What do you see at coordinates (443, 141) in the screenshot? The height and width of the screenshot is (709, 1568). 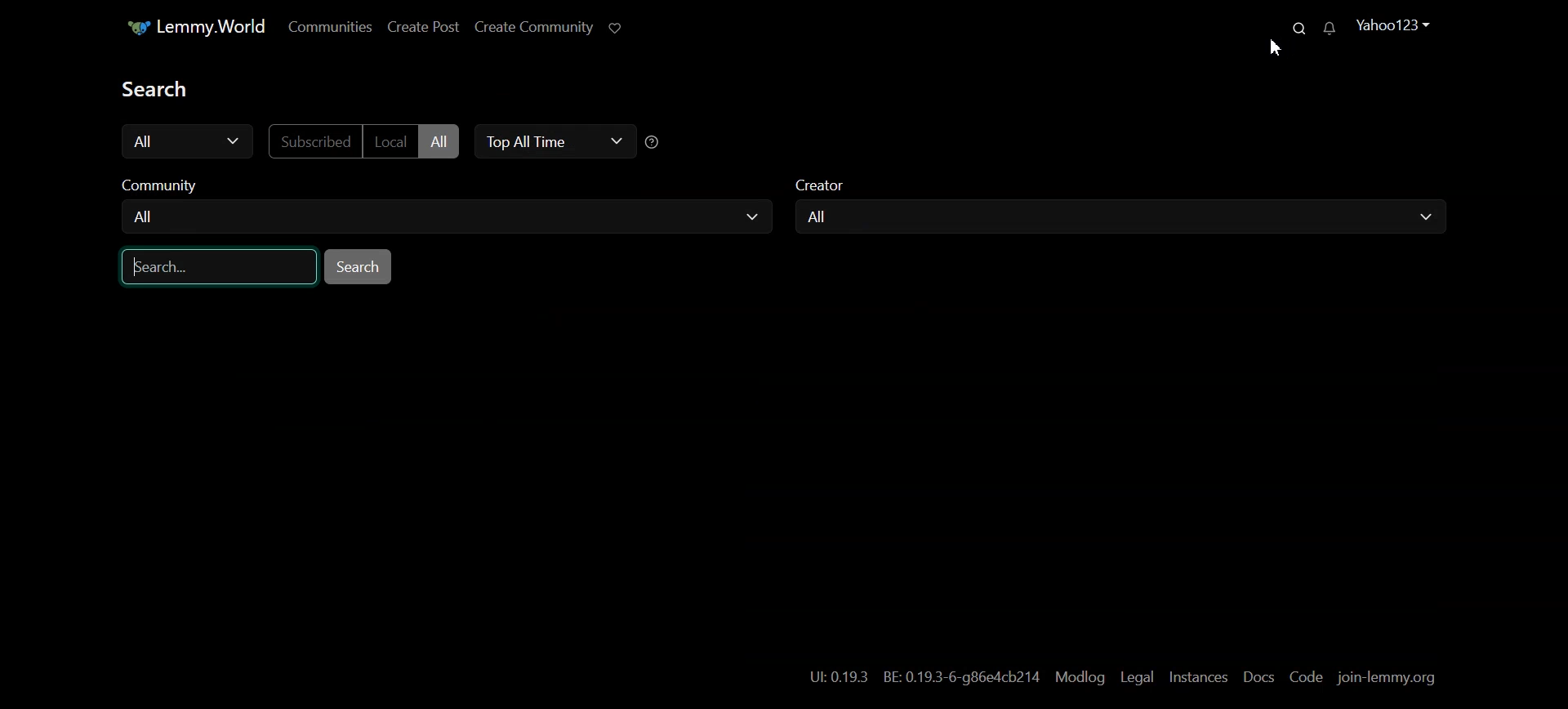 I see `All` at bounding box center [443, 141].